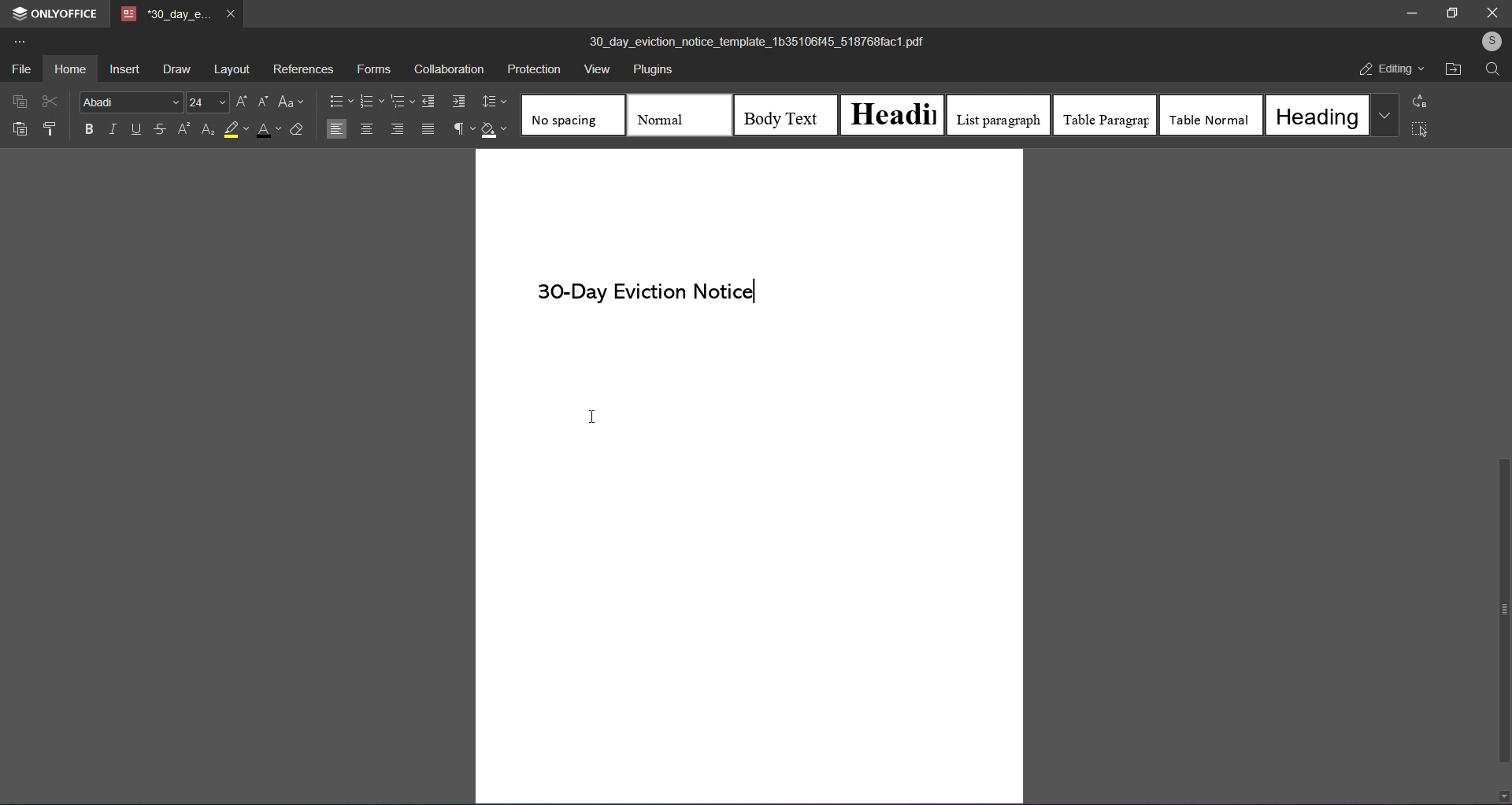 This screenshot has width=1512, height=805. I want to click on replace, so click(1424, 101).